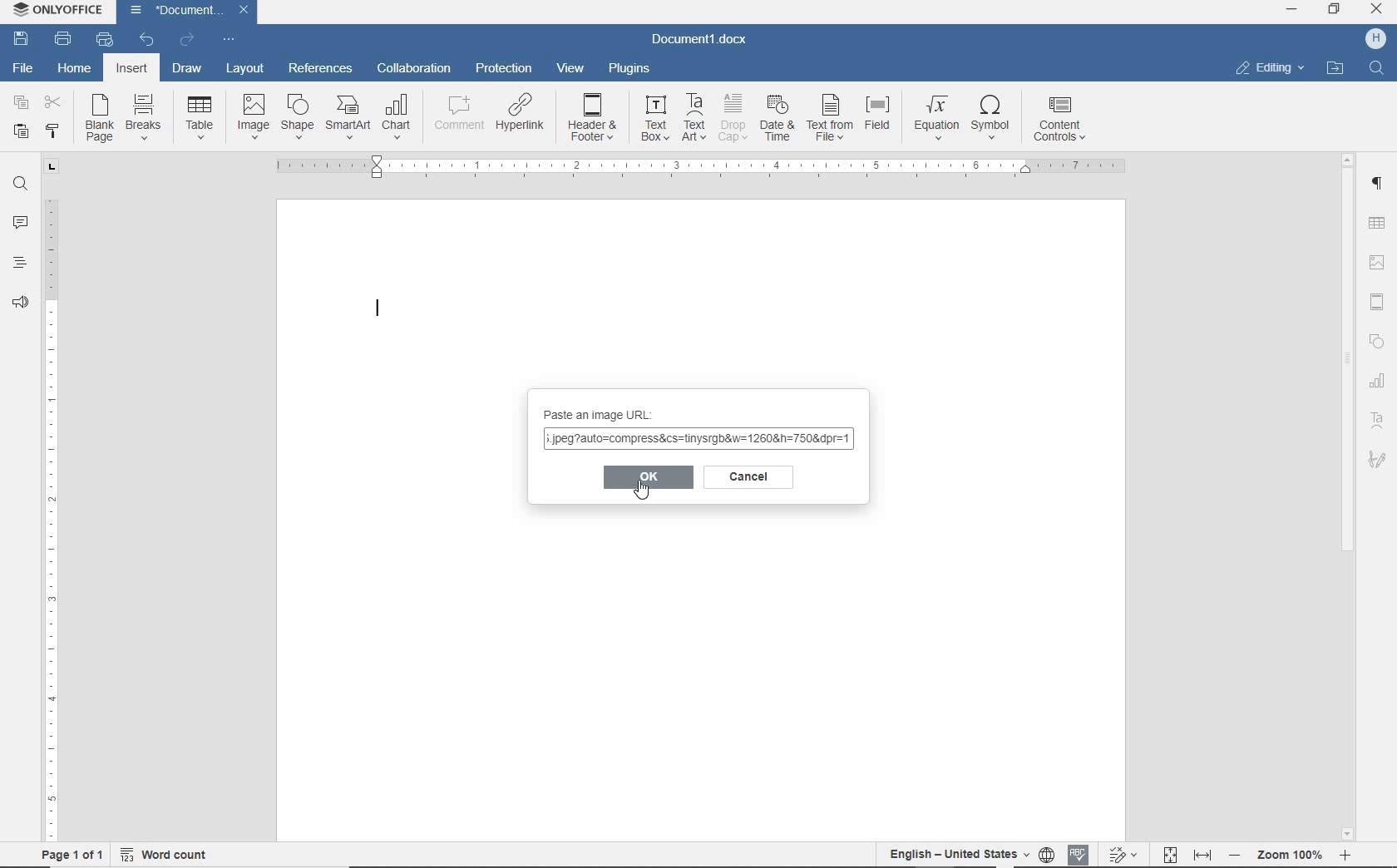 The width and height of the screenshot is (1397, 868). What do you see at coordinates (505, 72) in the screenshot?
I see `protection` at bounding box center [505, 72].